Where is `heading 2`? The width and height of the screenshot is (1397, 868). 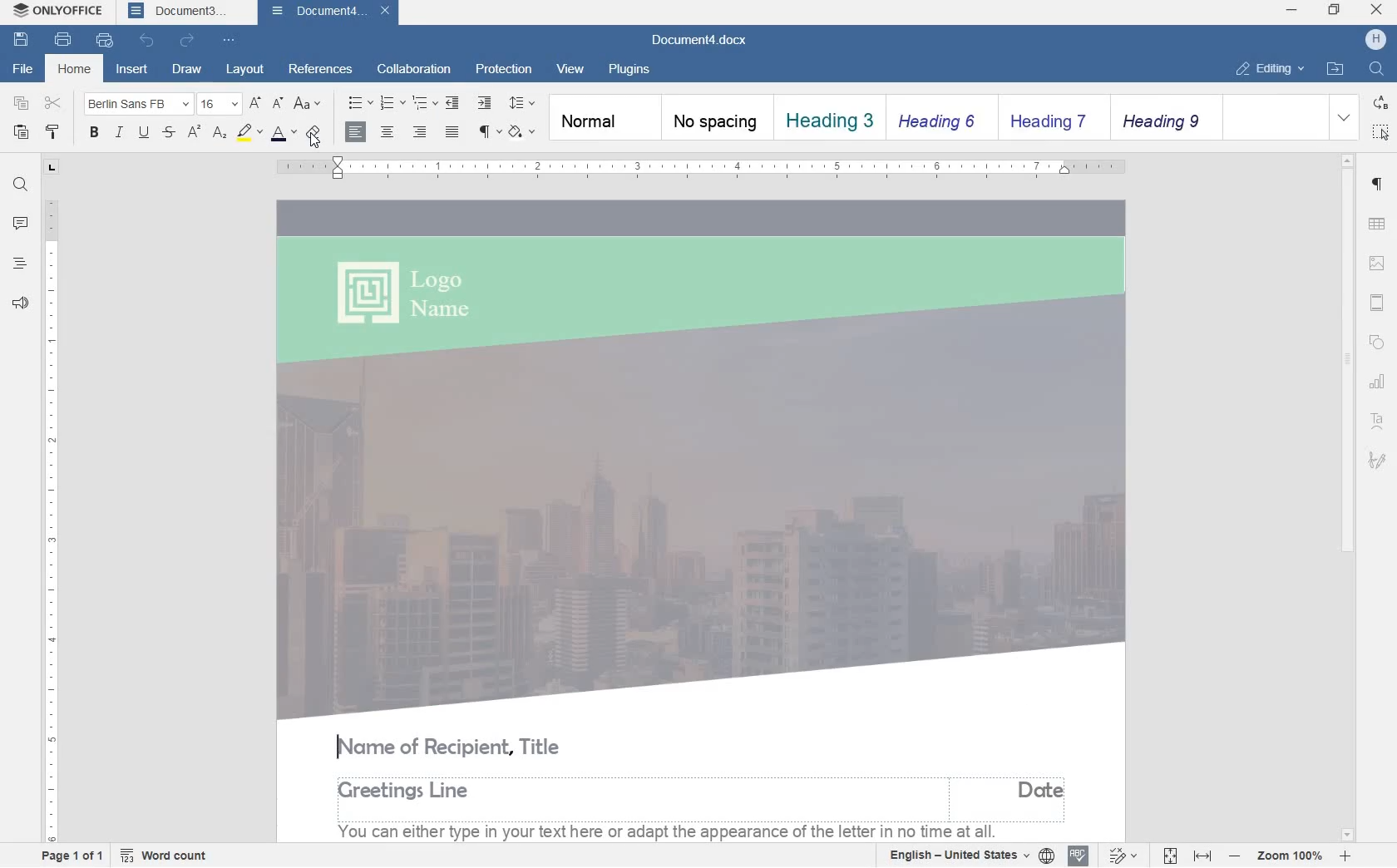 heading 2 is located at coordinates (938, 116).